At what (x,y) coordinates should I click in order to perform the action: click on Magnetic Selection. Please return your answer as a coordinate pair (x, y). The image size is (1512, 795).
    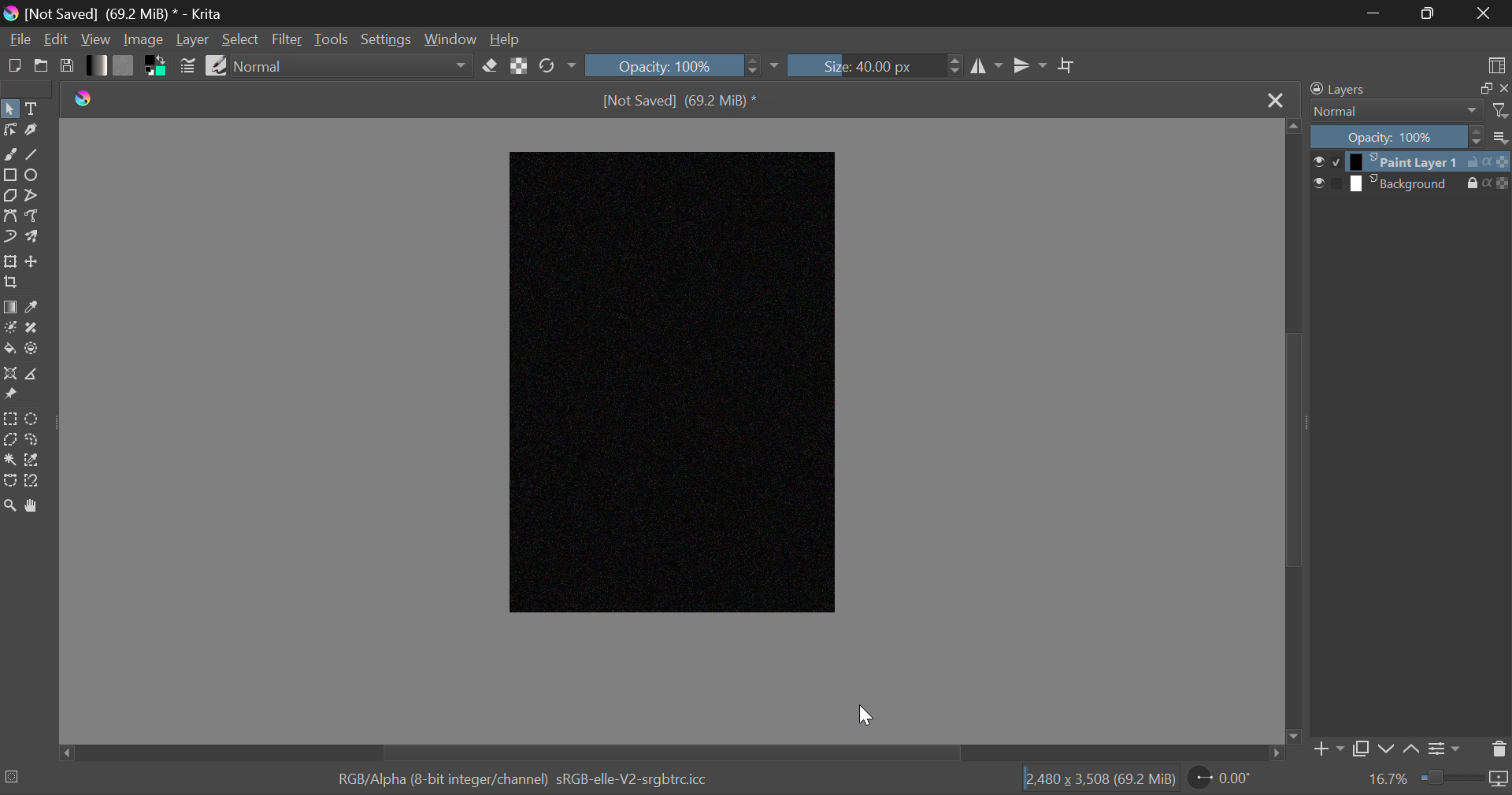
    Looking at the image, I should click on (36, 481).